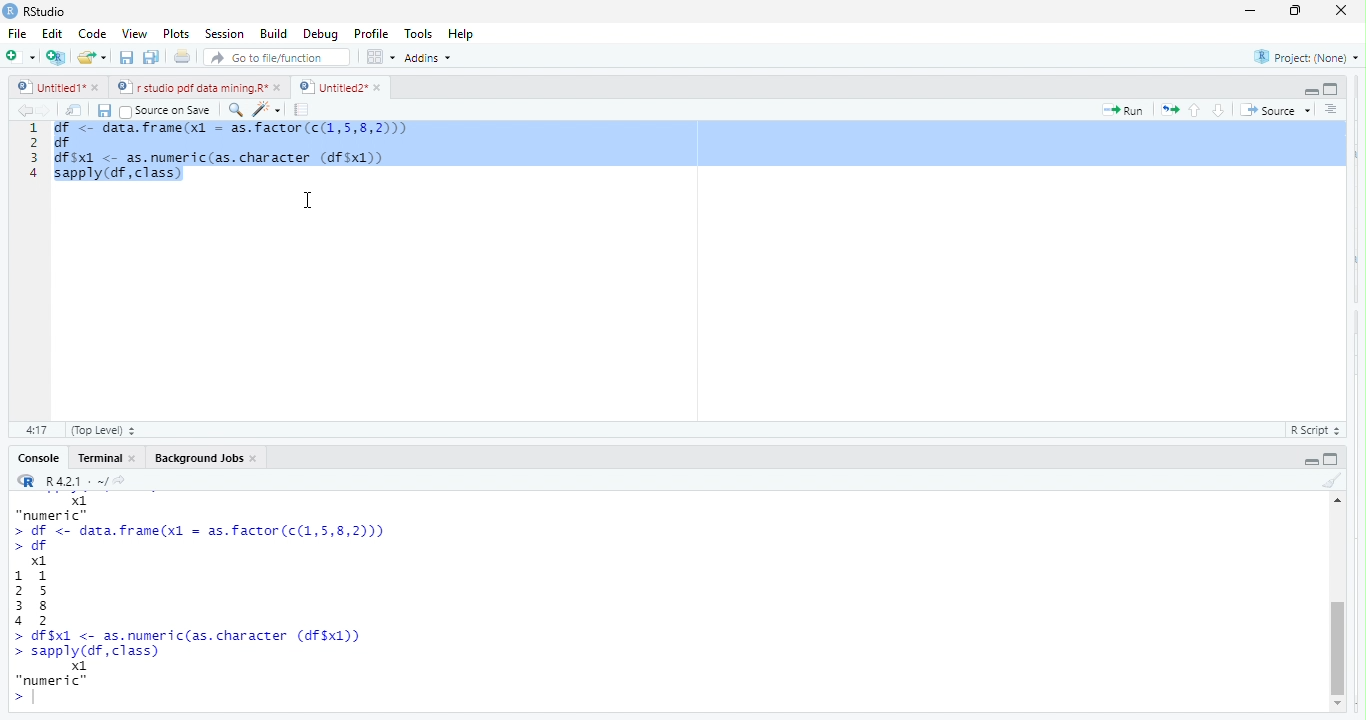  What do you see at coordinates (41, 458) in the screenshot?
I see `Console` at bounding box center [41, 458].